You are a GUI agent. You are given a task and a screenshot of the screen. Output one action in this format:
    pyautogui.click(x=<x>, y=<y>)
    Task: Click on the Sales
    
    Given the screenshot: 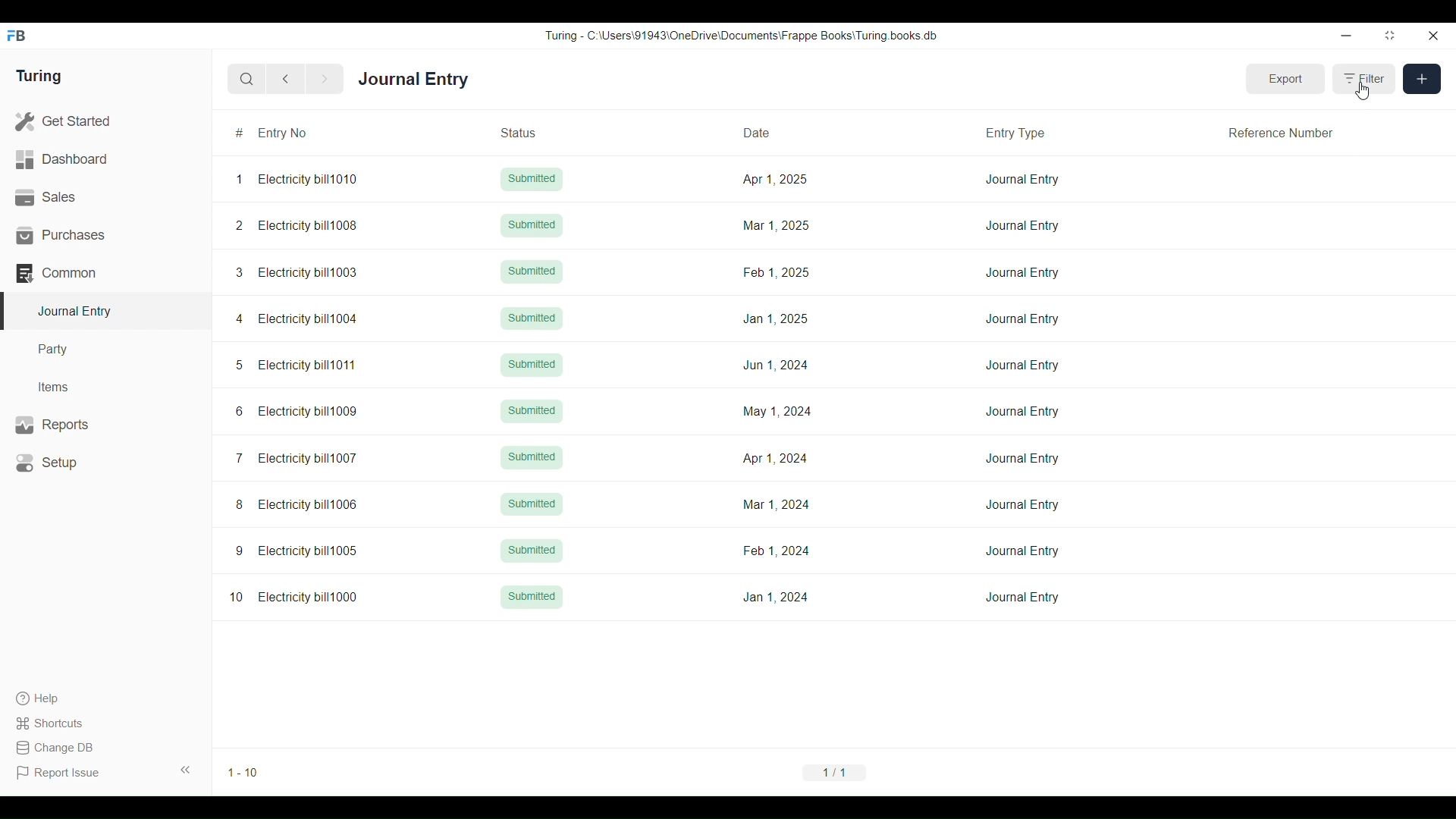 What is the action you would take?
    pyautogui.click(x=105, y=197)
    